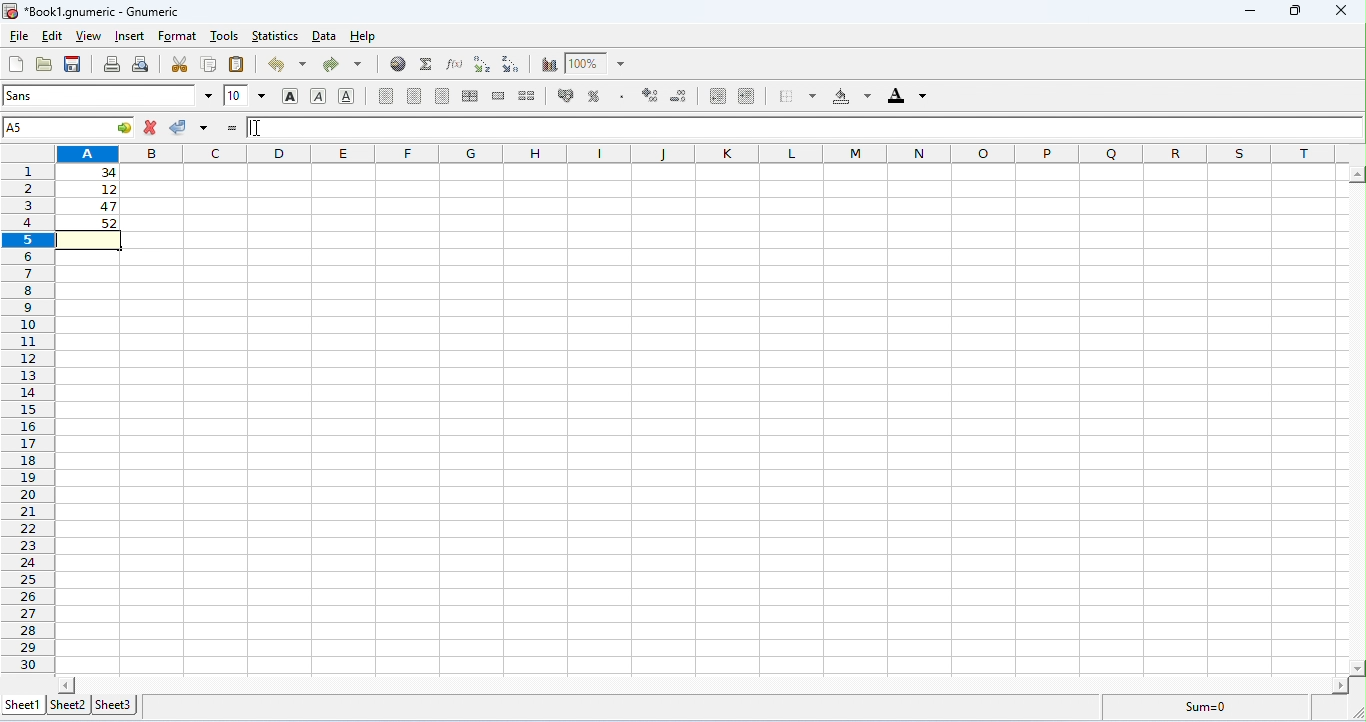  Describe the element at coordinates (68, 704) in the screenshot. I see `sheet2` at that location.